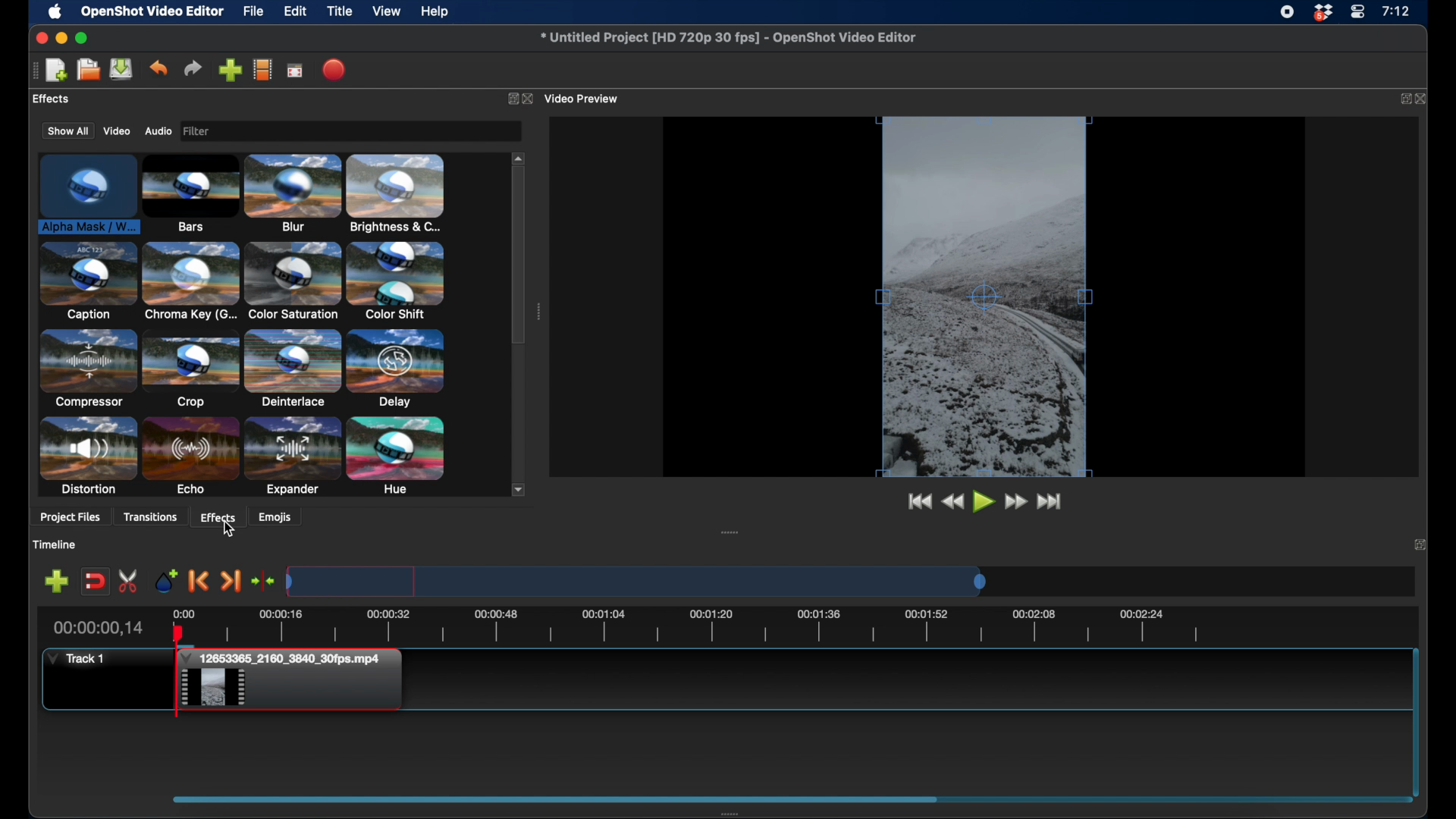 The height and width of the screenshot is (819, 1456). Describe the element at coordinates (396, 457) in the screenshot. I see `hue` at that location.